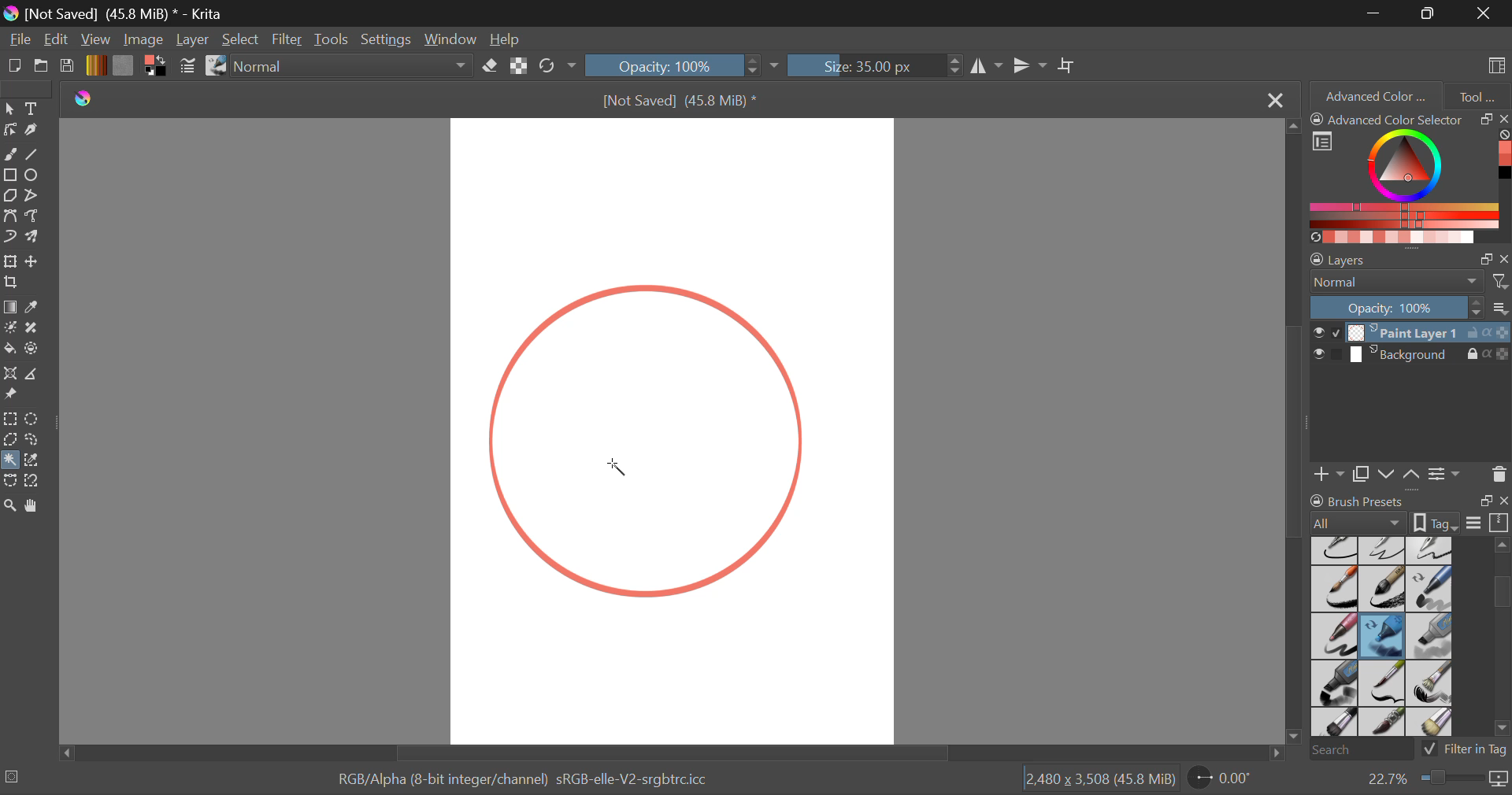  Describe the element at coordinates (1410, 256) in the screenshot. I see `Layer Settings` at that location.